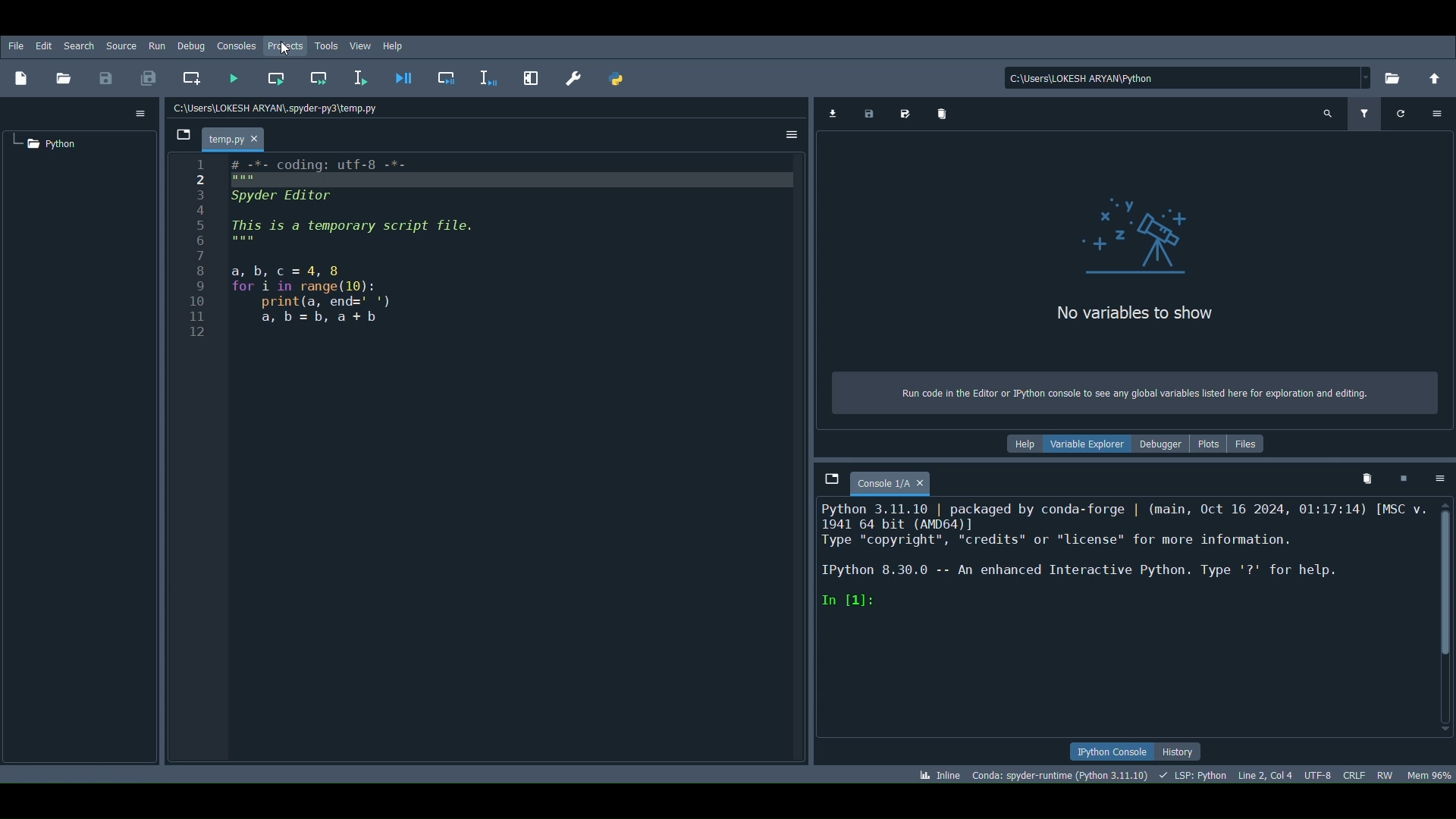 The height and width of the screenshot is (819, 1456). Describe the element at coordinates (278, 75) in the screenshot. I see `Run current cell (Ctrl + Return)` at that location.